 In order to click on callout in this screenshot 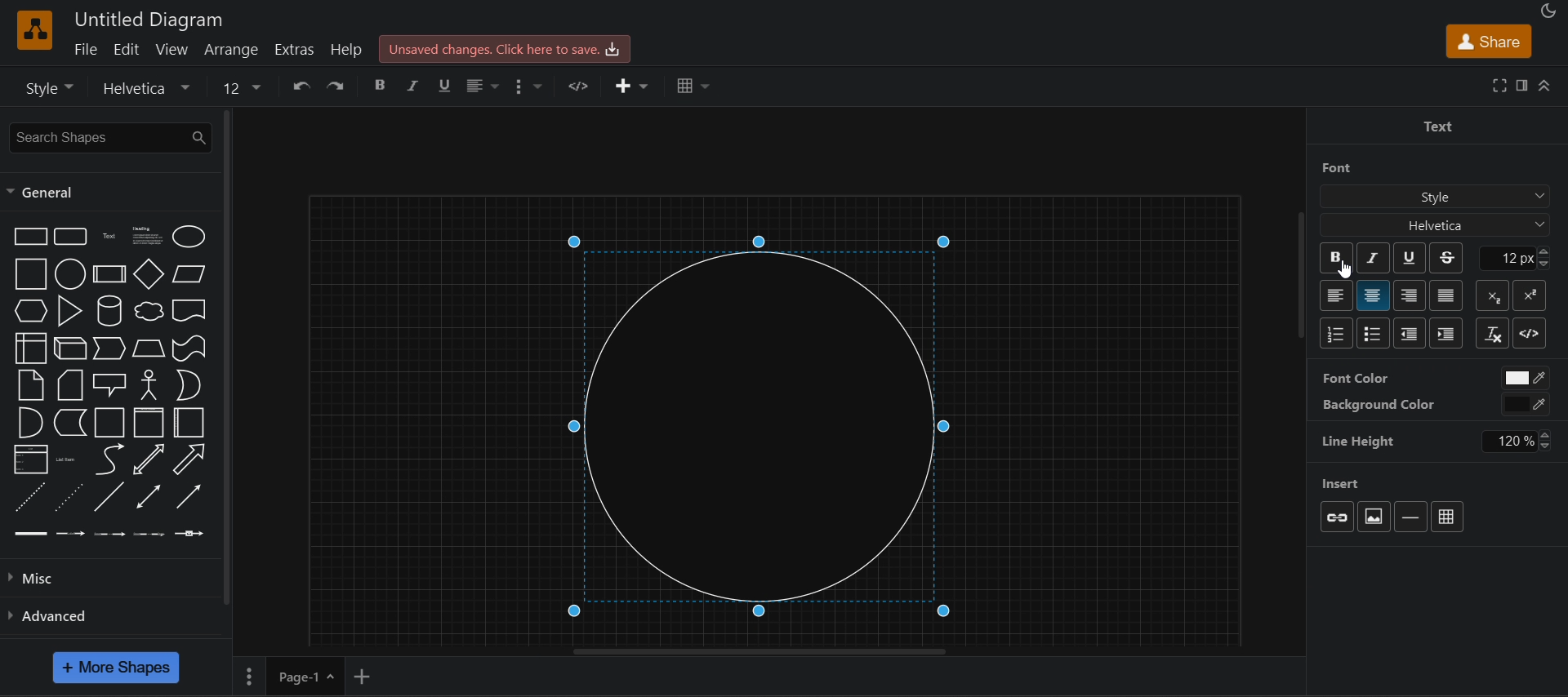, I will do `click(111, 387)`.